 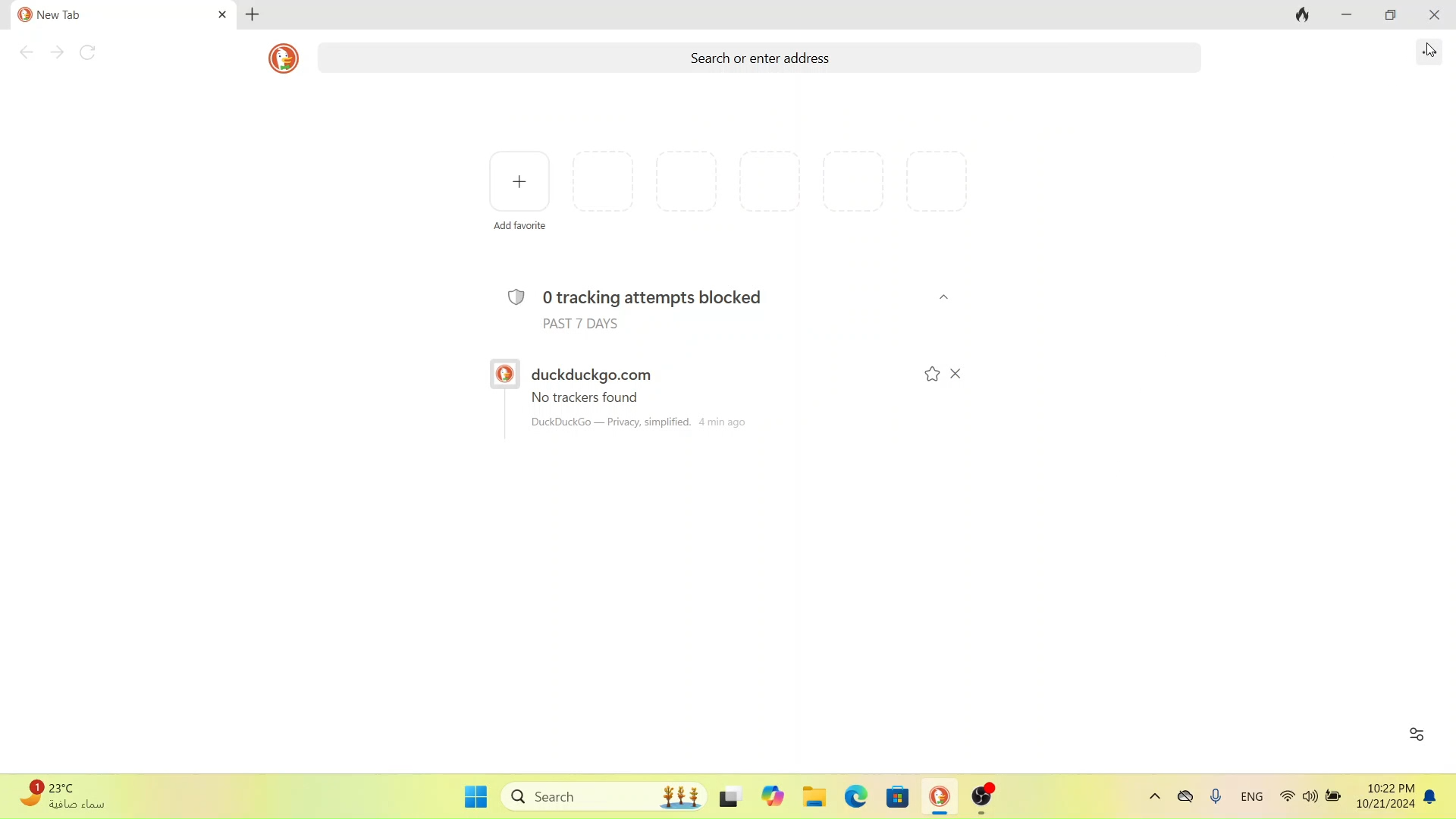 What do you see at coordinates (89, 52) in the screenshot?
I see `refresh` at bounding box center [89, 52].